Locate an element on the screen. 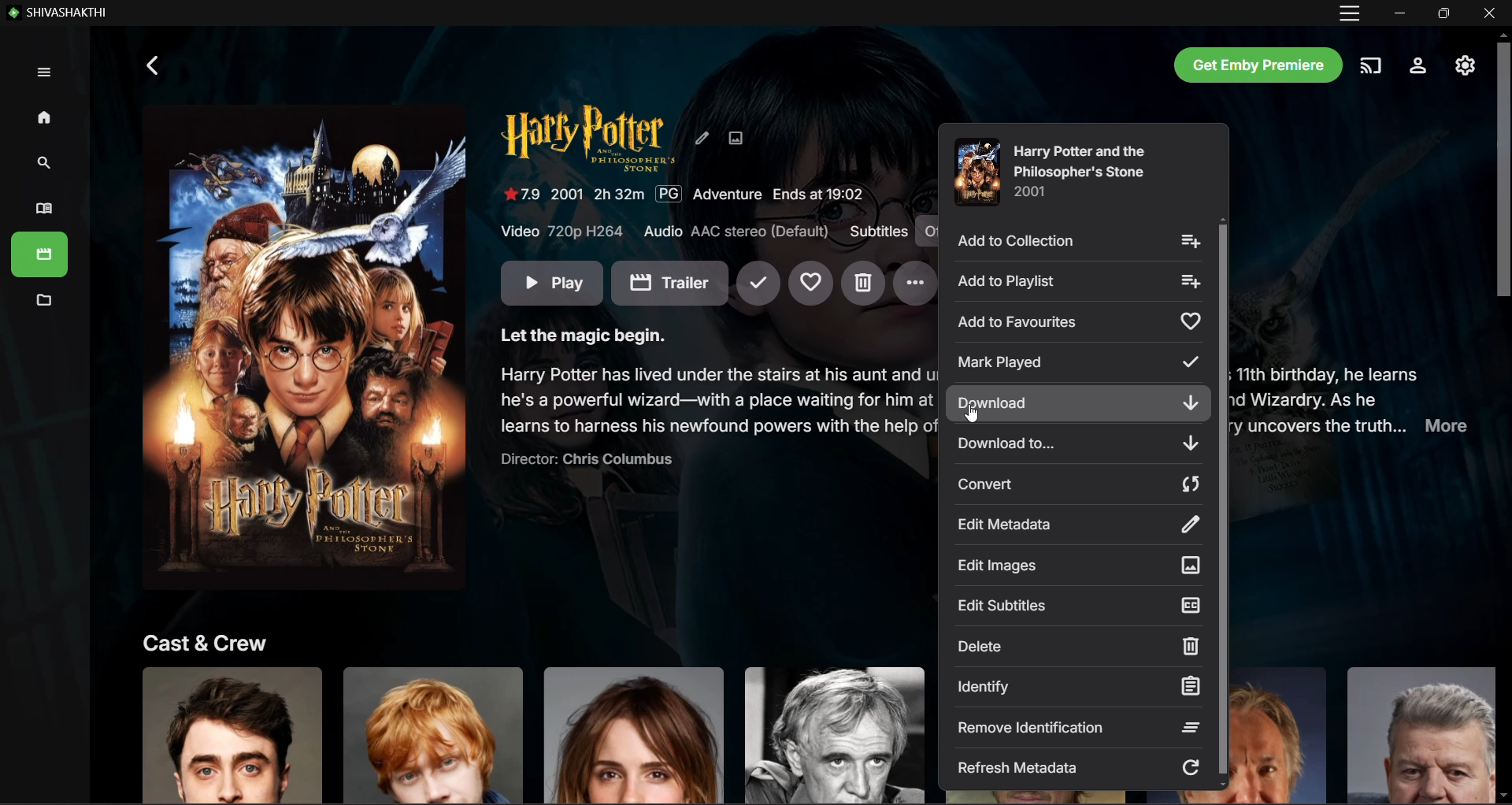  Remove Identification is located at coordinates (1080, 729).